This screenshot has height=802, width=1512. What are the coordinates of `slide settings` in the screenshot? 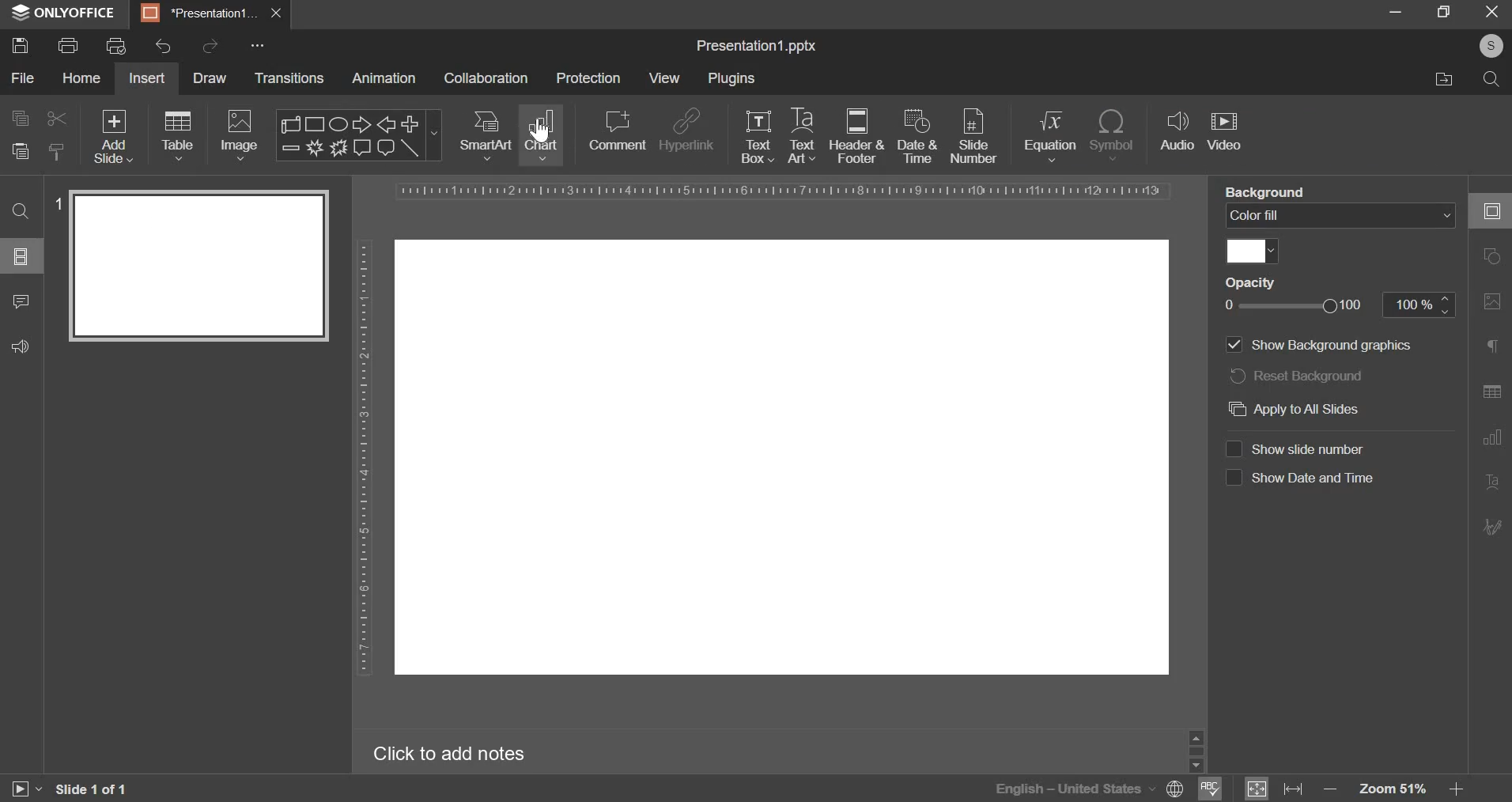 It's located at (1489, 208).